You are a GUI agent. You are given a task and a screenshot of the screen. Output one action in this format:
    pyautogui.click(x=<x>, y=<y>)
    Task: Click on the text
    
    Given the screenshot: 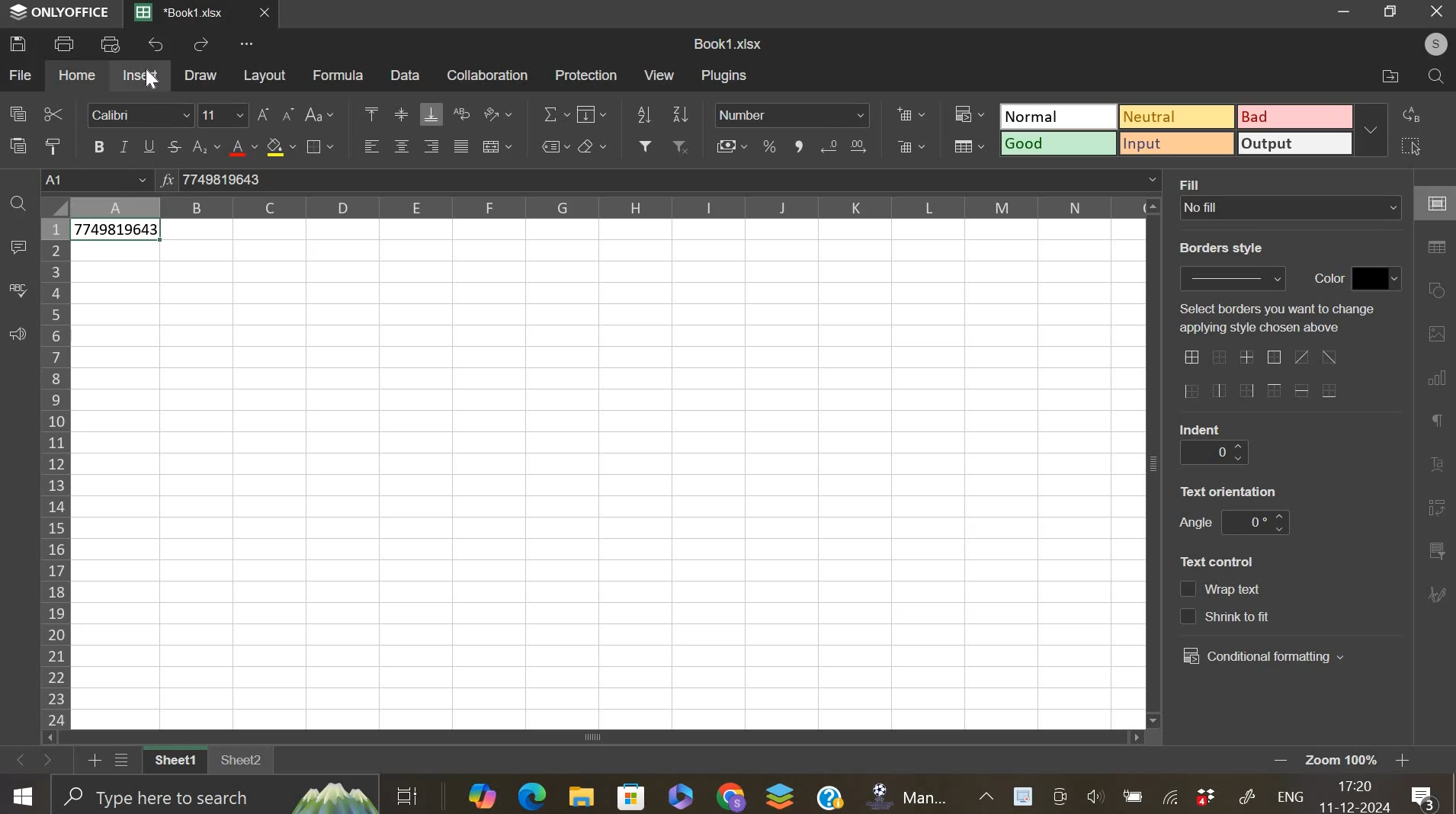 What is the action you would take?
    pyautogui.click(x=1201, y=428)
    